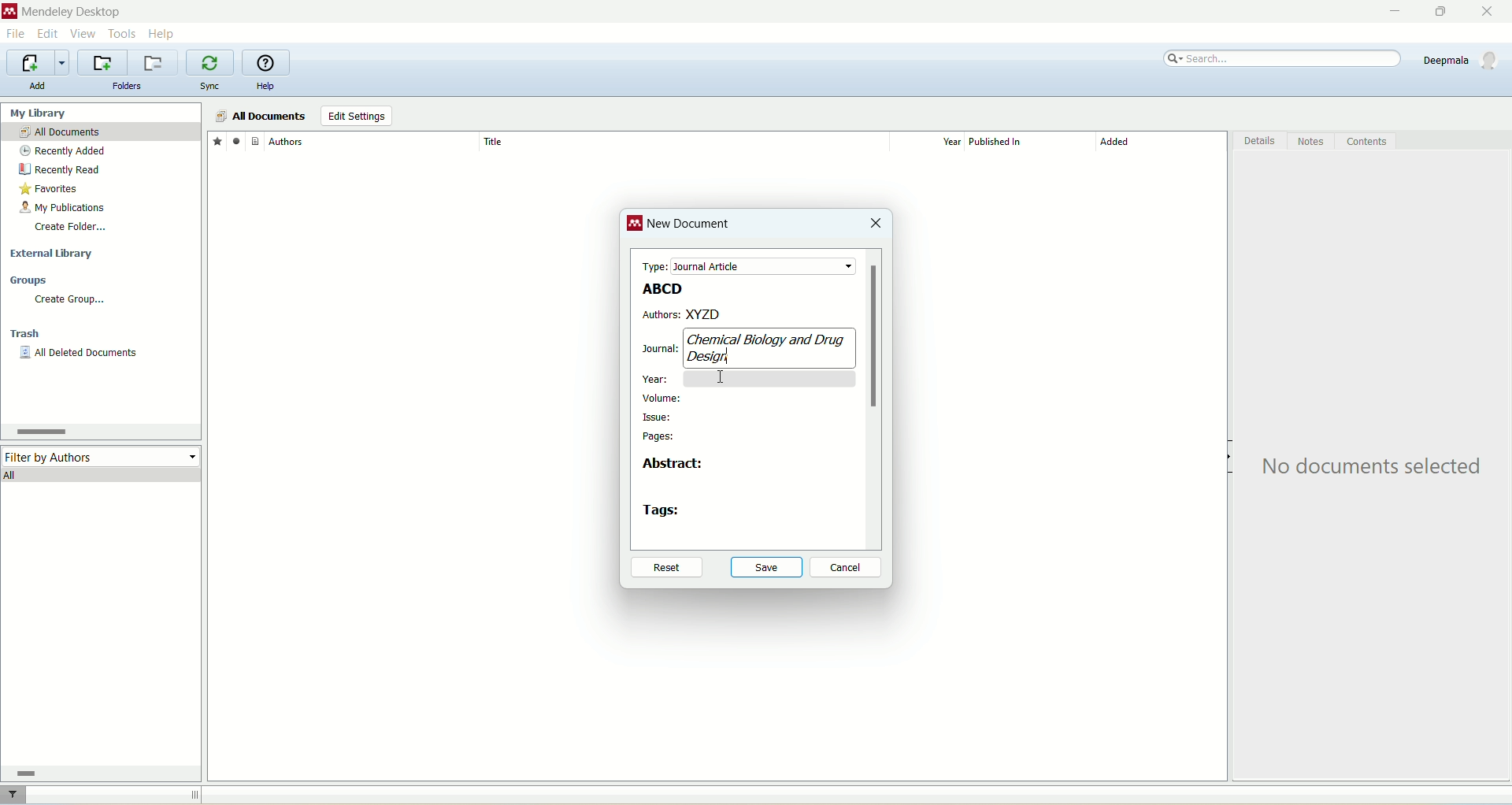 Image resolution: width=1512 pixels, height=805 pixels. I want to click on issue, so click(658, 417).